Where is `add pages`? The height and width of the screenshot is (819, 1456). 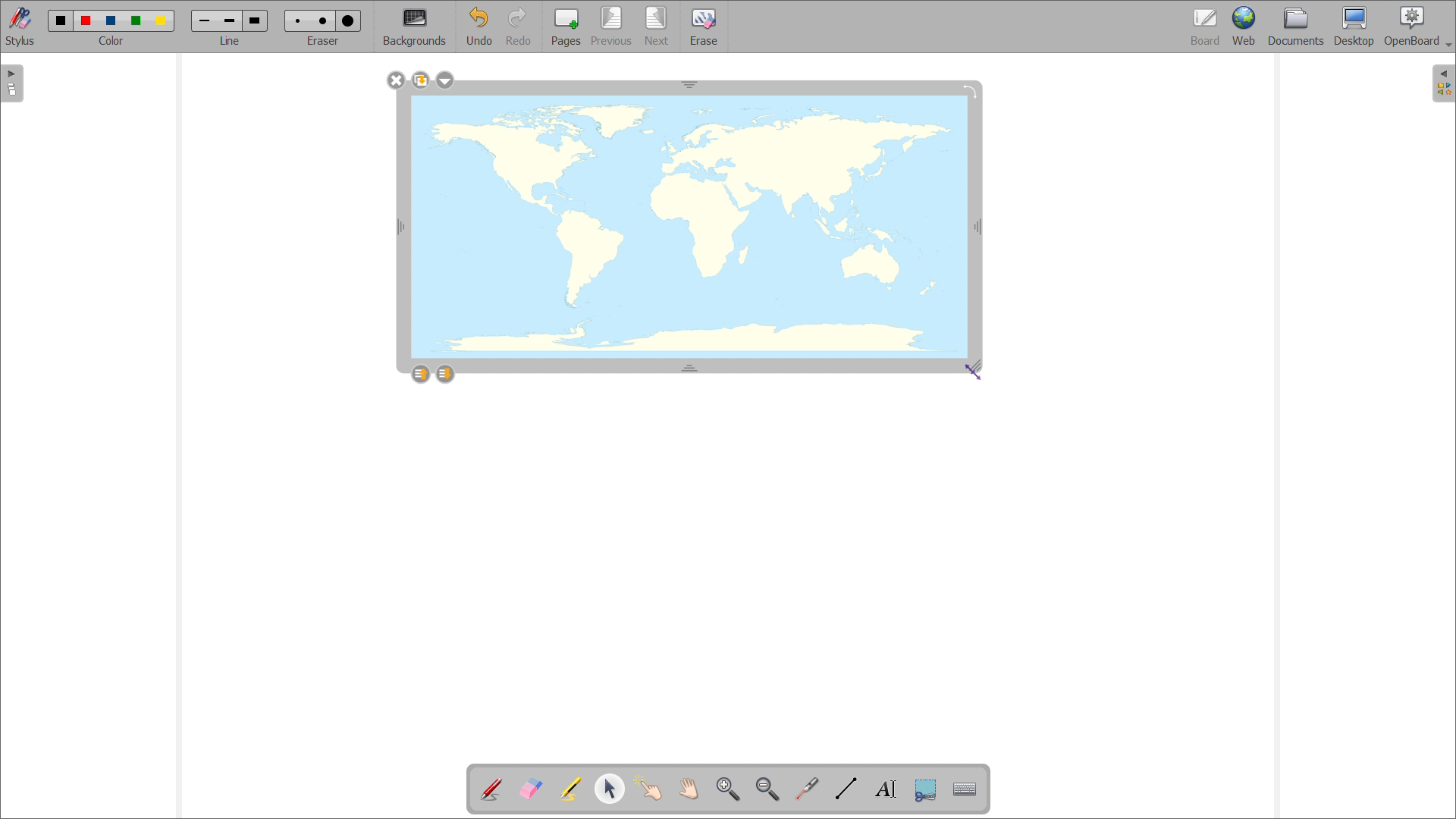 add pages is located at coordinates (564, 27).